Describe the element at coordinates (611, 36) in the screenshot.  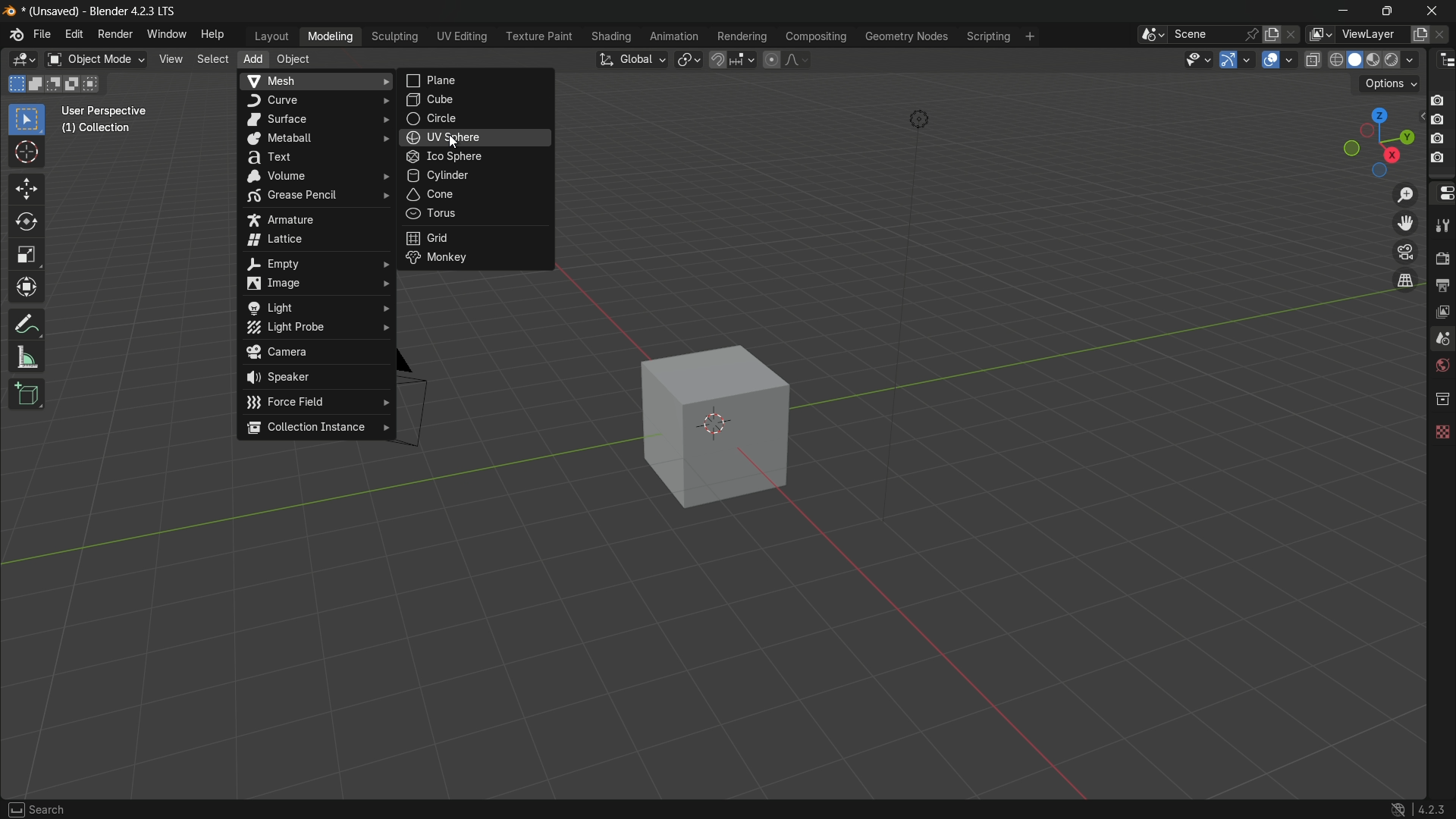
I see `shading menu` at that location.